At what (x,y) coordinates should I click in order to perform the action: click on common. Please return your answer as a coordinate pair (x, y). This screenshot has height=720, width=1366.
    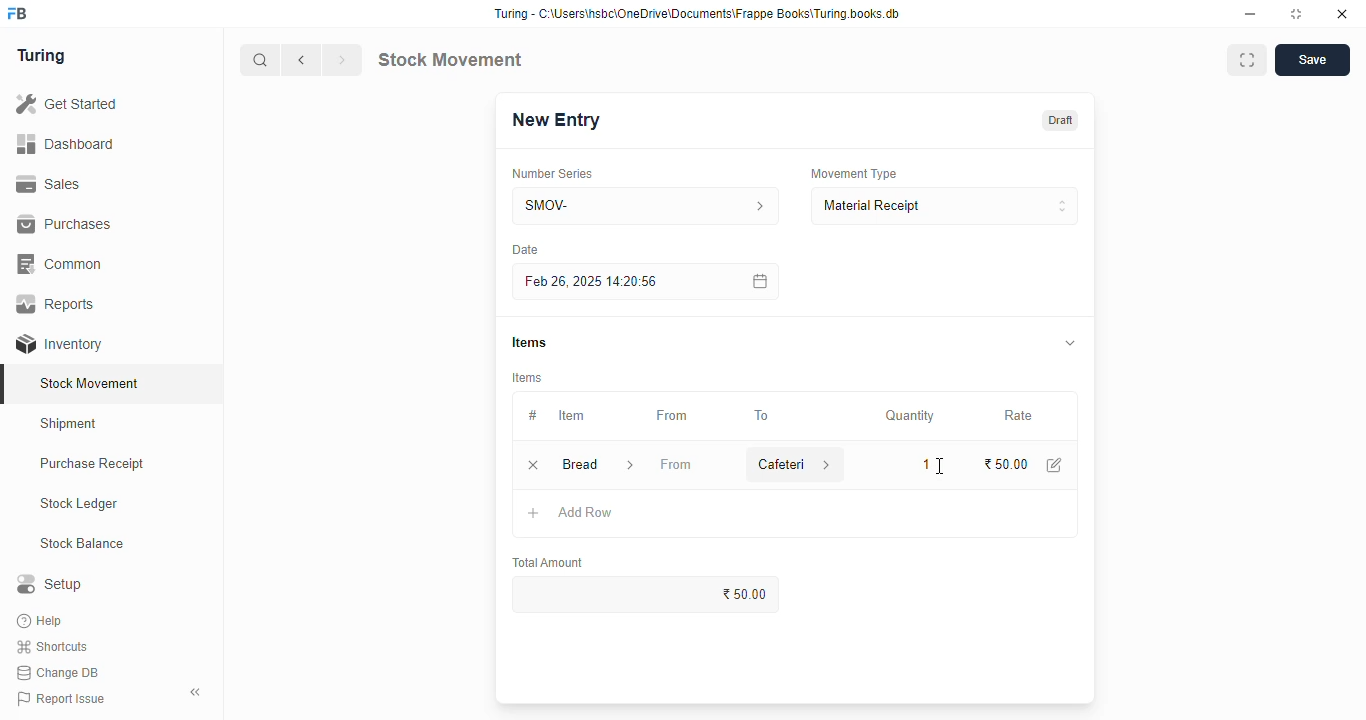
    Looking at the image, I should click on (62, 264).